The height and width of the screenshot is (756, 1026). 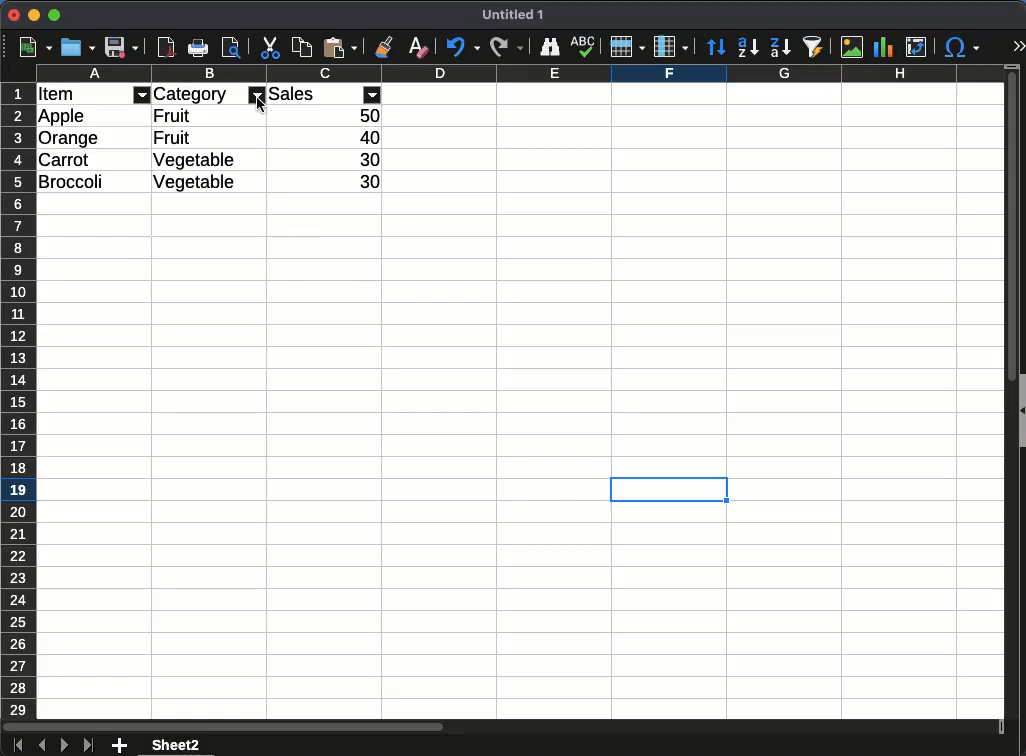 I want to click on descending, so click(x=780, y=48).